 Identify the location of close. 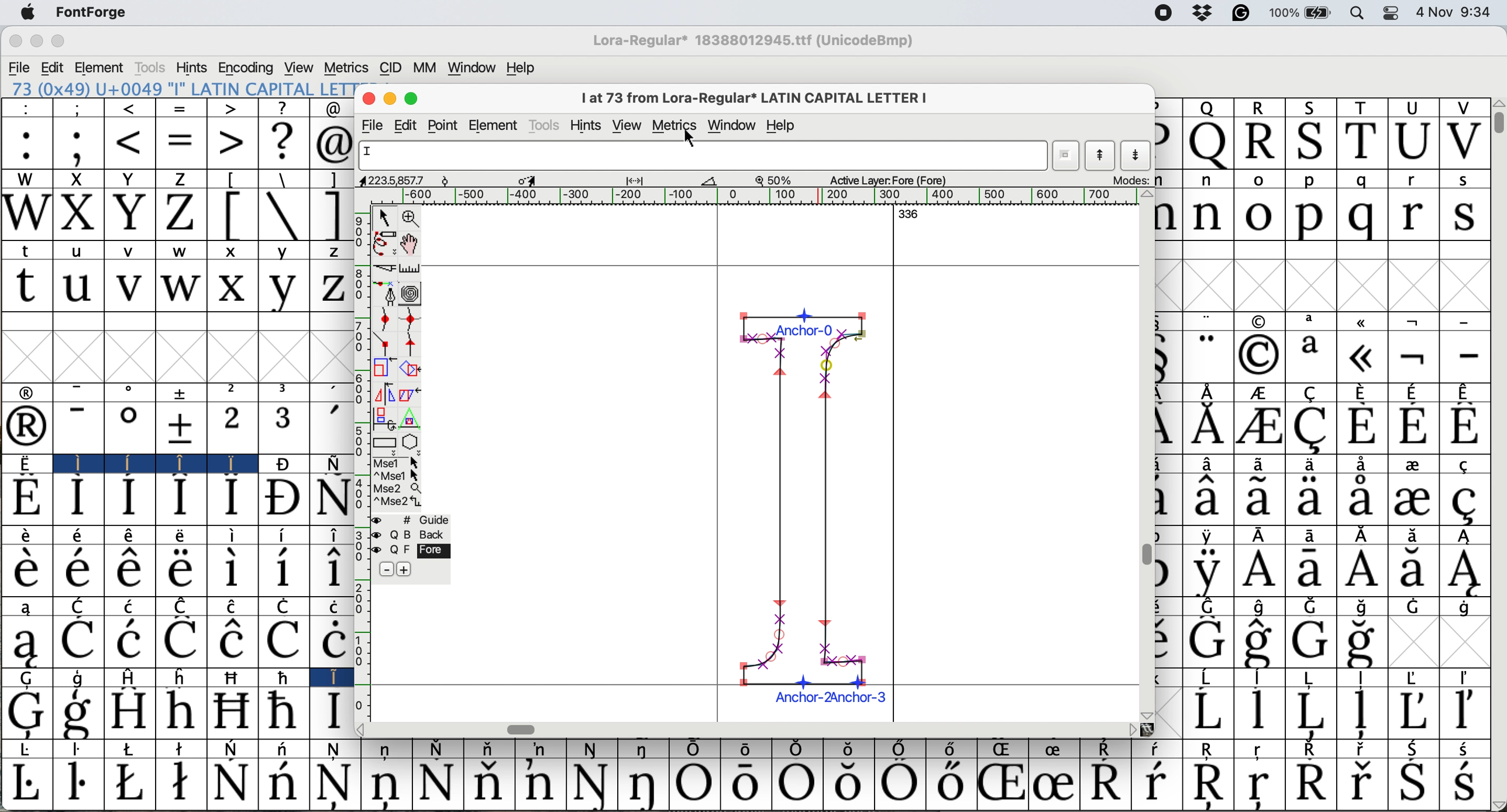
(369, 99).